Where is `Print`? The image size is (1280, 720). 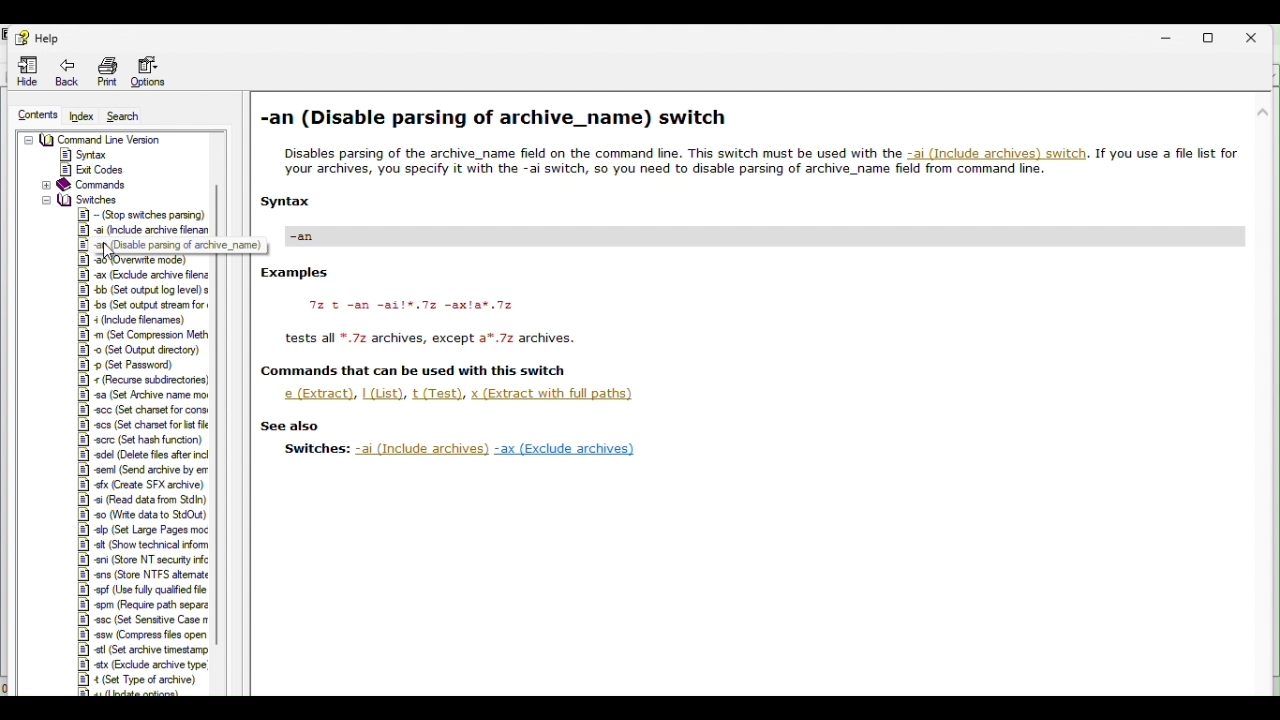
Print is located at coordinates (108, 73).